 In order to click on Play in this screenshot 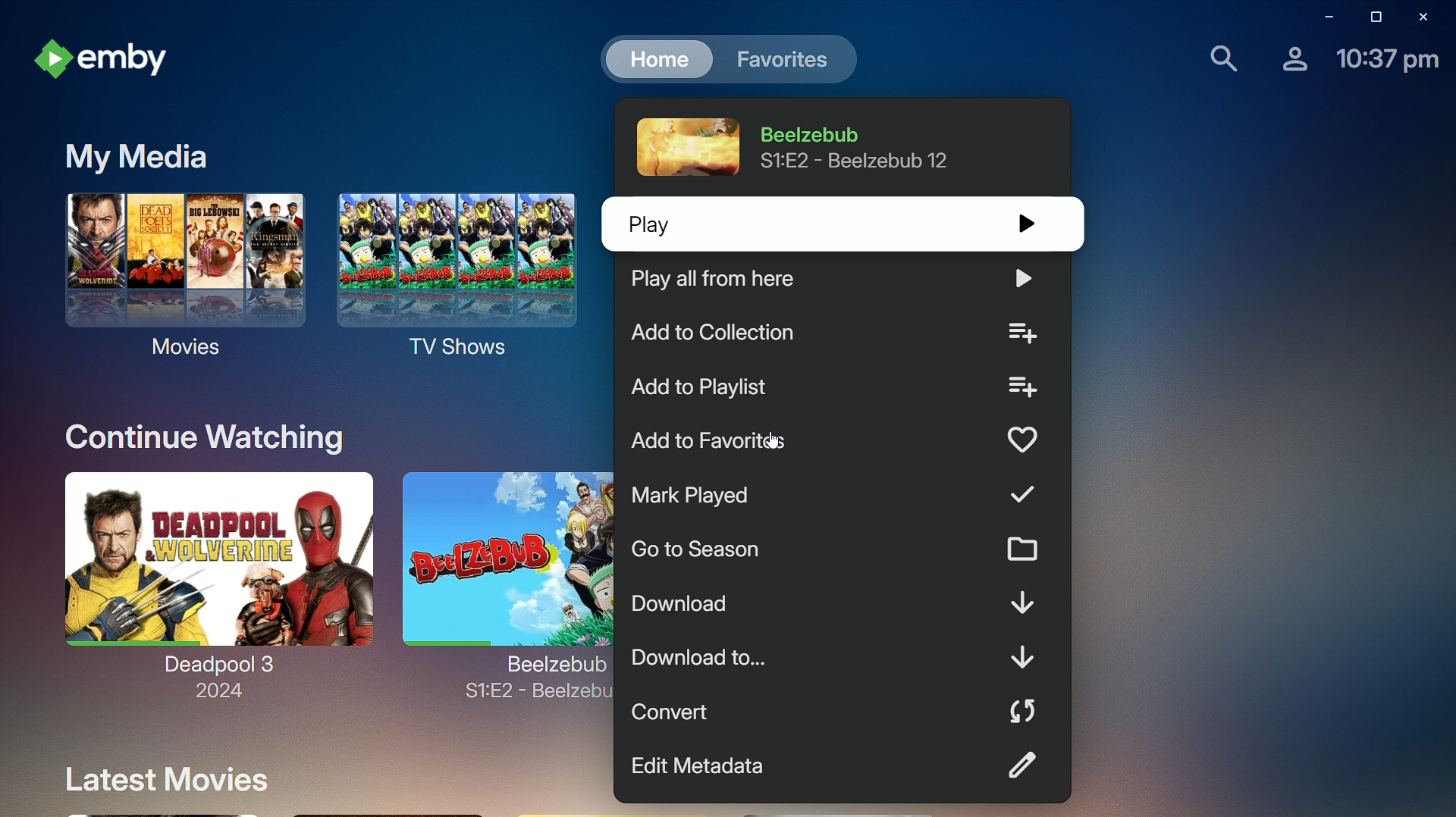, I will do `click(833, 224)`.